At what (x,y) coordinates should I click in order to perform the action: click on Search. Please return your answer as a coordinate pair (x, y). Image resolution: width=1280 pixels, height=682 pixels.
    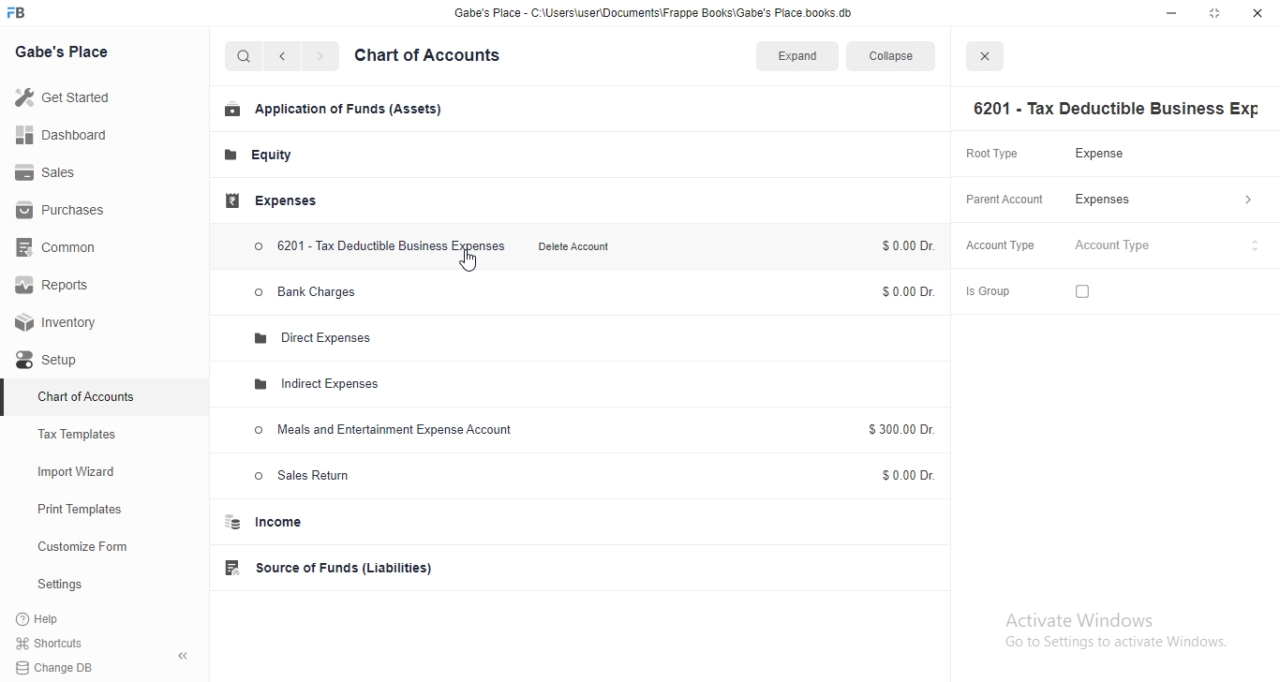
    Looking at the image, I should click on (246, 57).